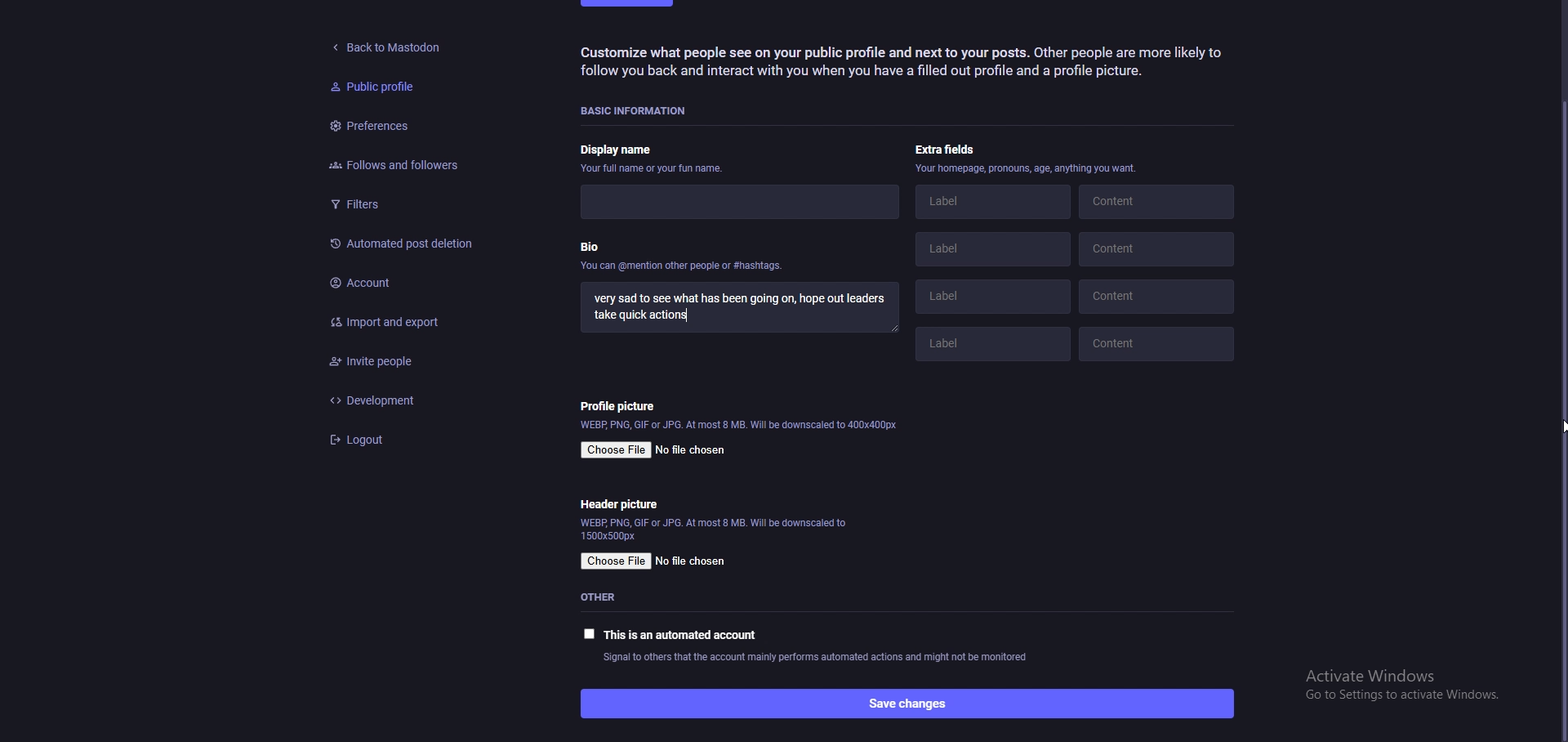 The height and width of the screenshot is (742, 1568). What do you see at coordinates (684, 260) in the screenshot?
I see `bio` at bounding box center [684, 260].